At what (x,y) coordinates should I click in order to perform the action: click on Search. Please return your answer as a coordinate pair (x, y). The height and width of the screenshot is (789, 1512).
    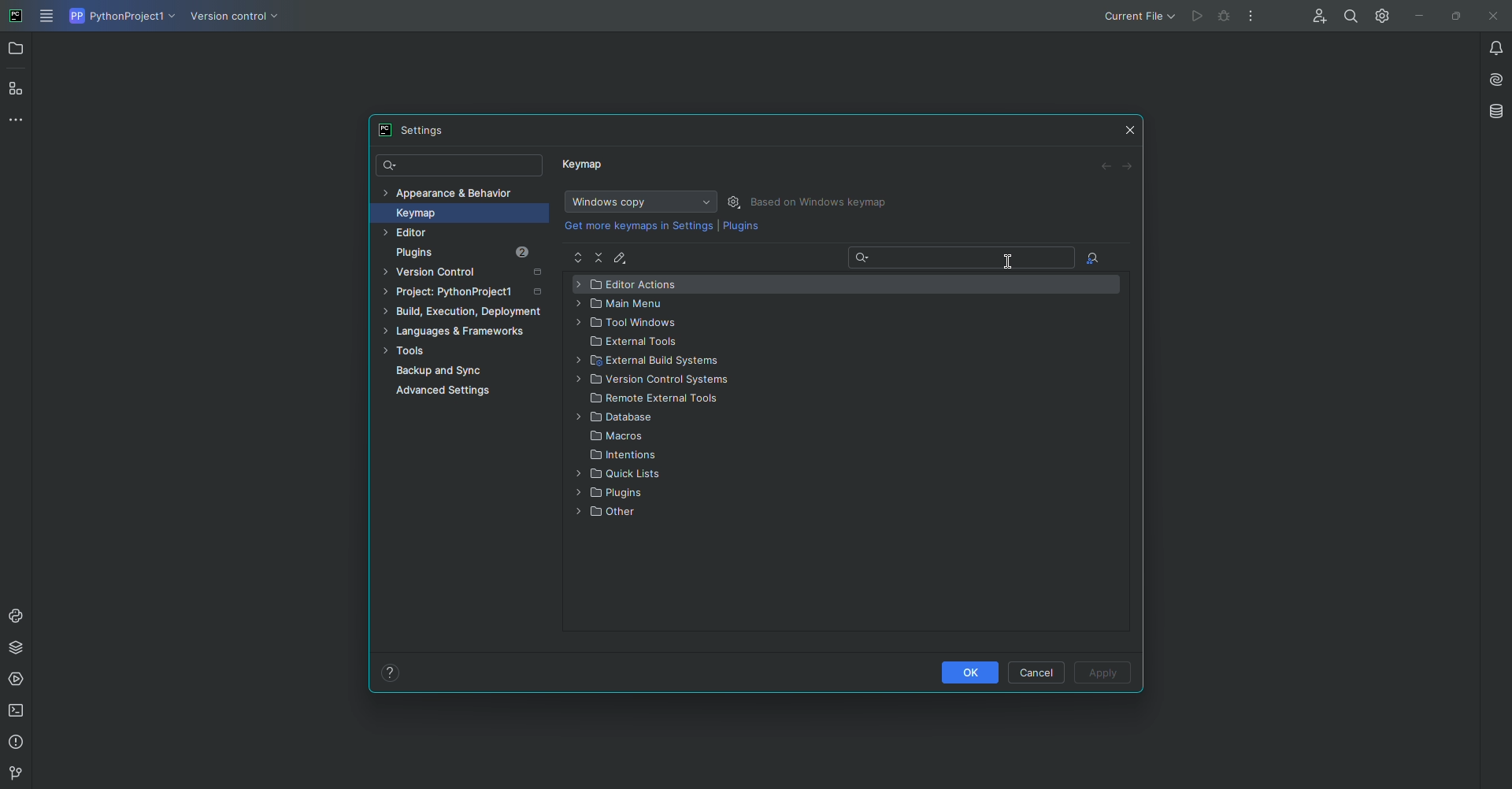
    Looking at the image, I should click on (963, 260).